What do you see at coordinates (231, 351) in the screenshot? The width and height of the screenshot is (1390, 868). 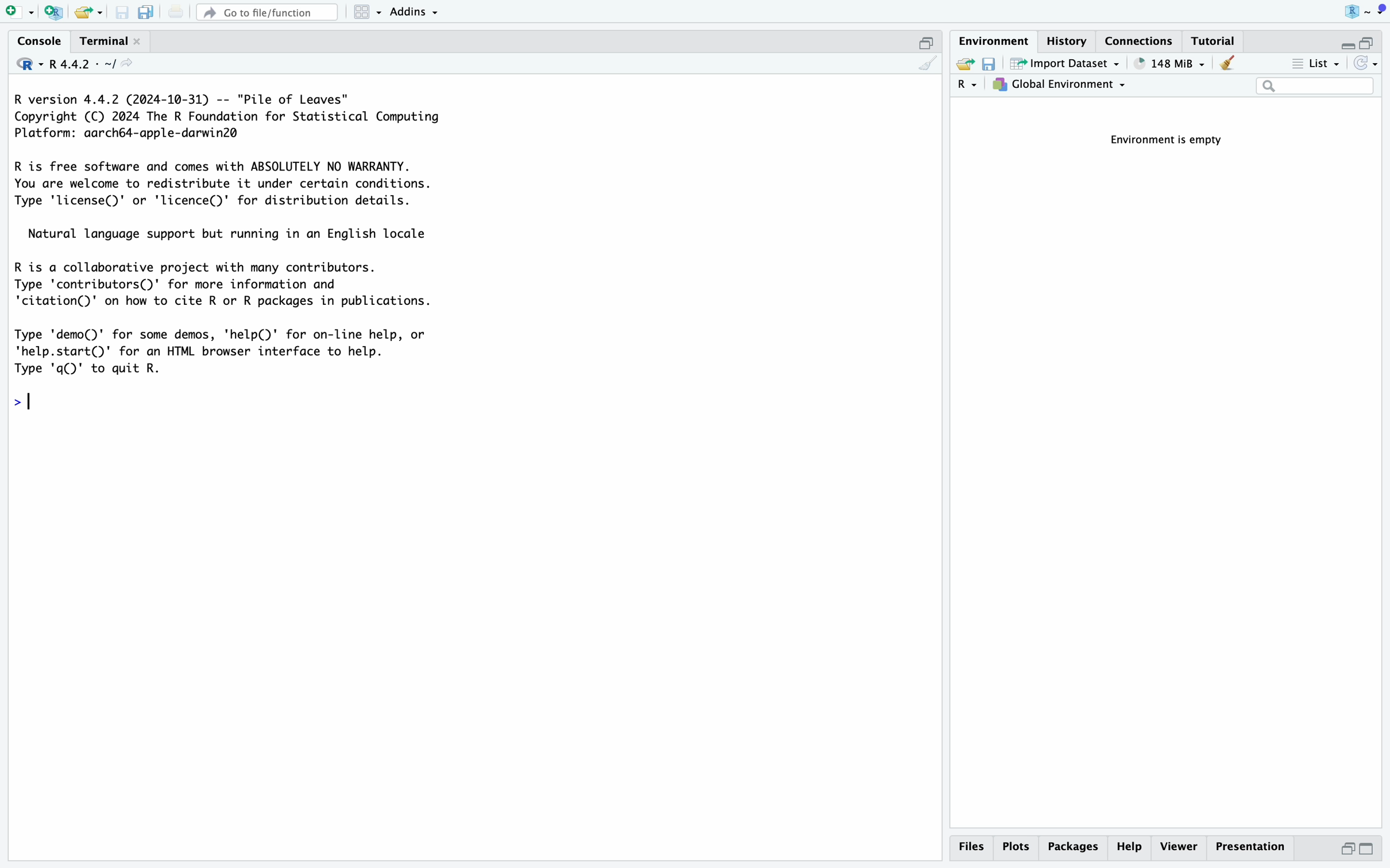 I see `demo and help of R` at bounding box center [231, 351].